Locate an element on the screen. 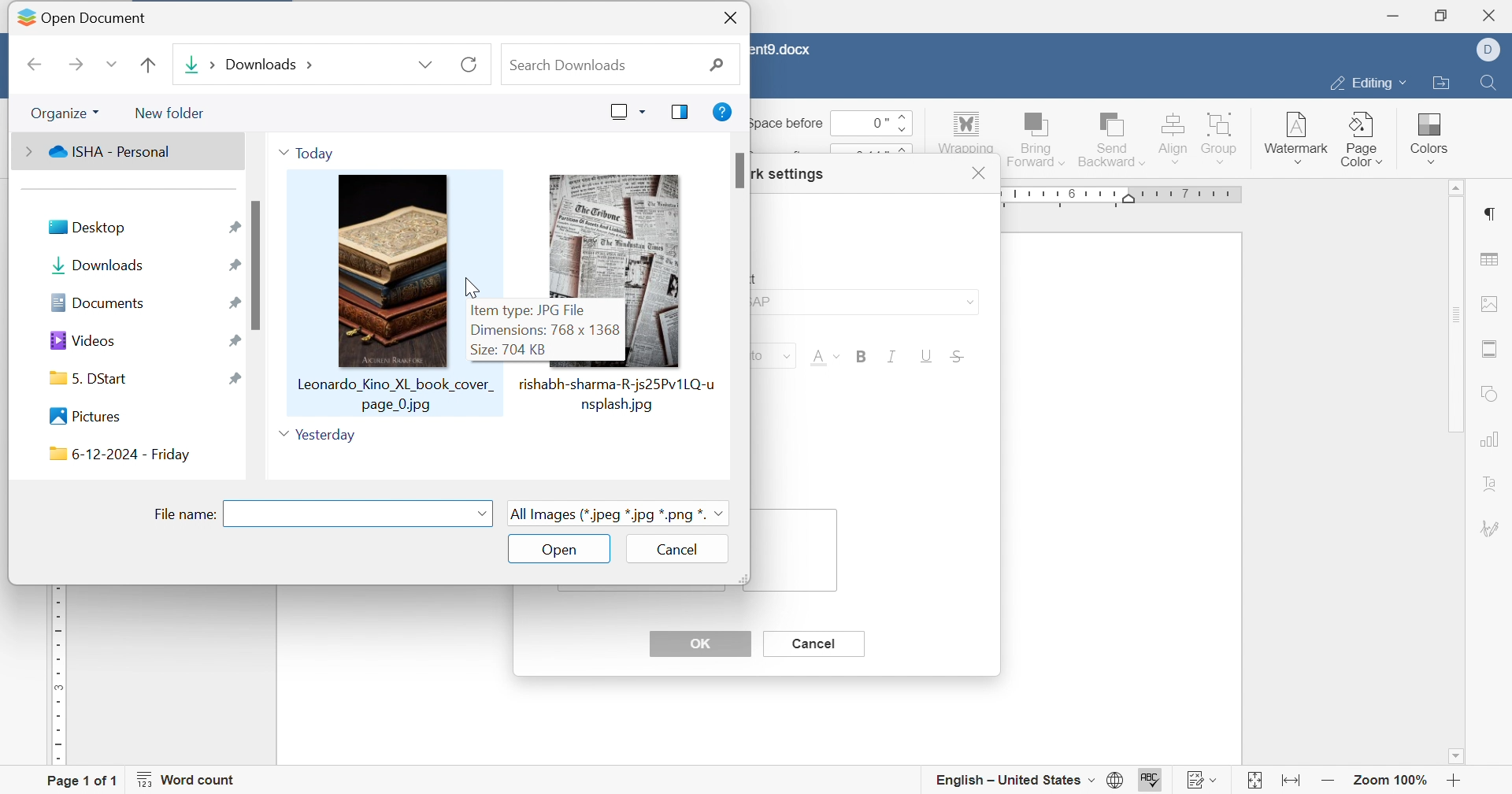  set document language is located at coordinates (1121, 780).